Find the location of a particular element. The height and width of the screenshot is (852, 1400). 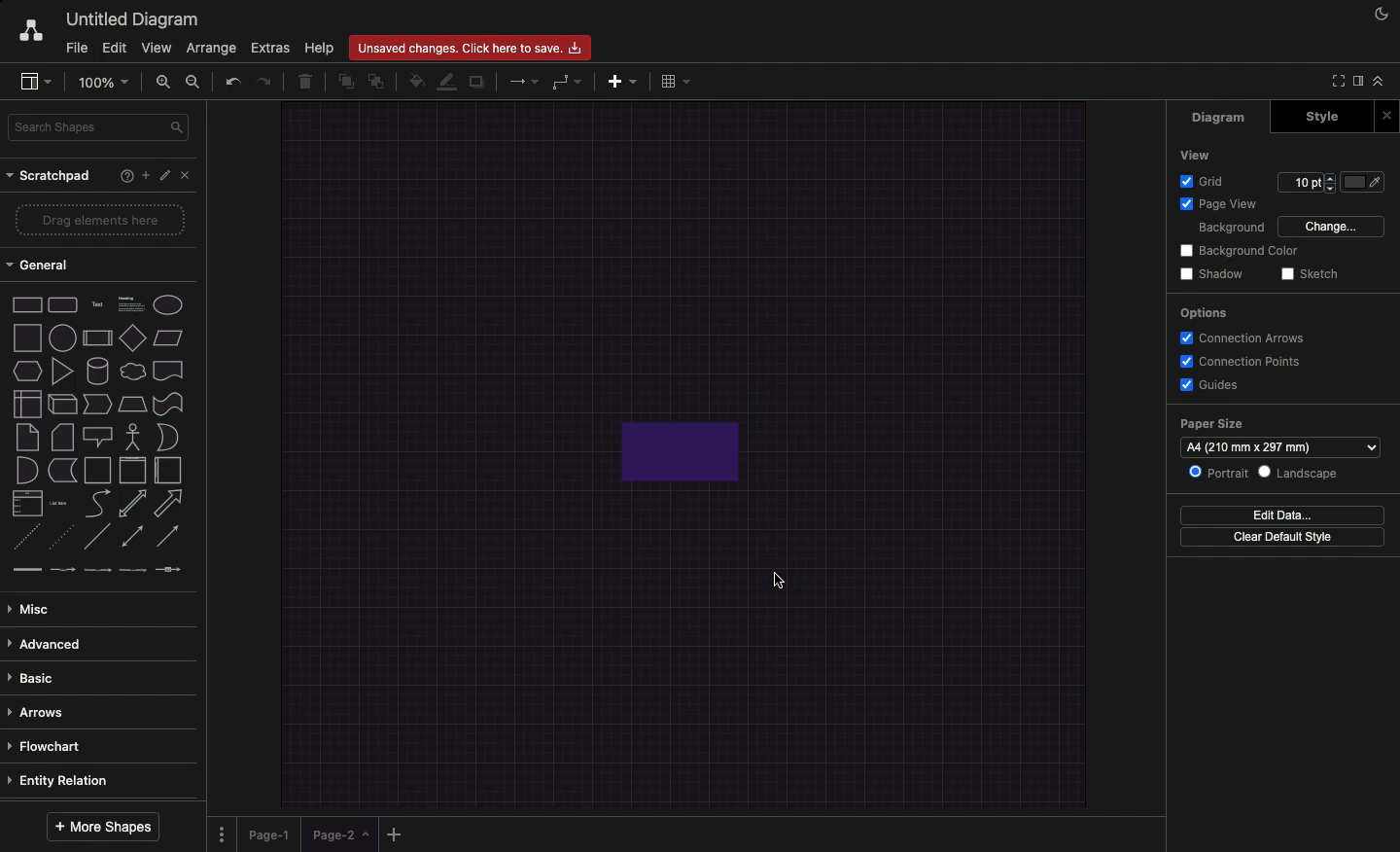

Edit is located at coordinates (165, 176).